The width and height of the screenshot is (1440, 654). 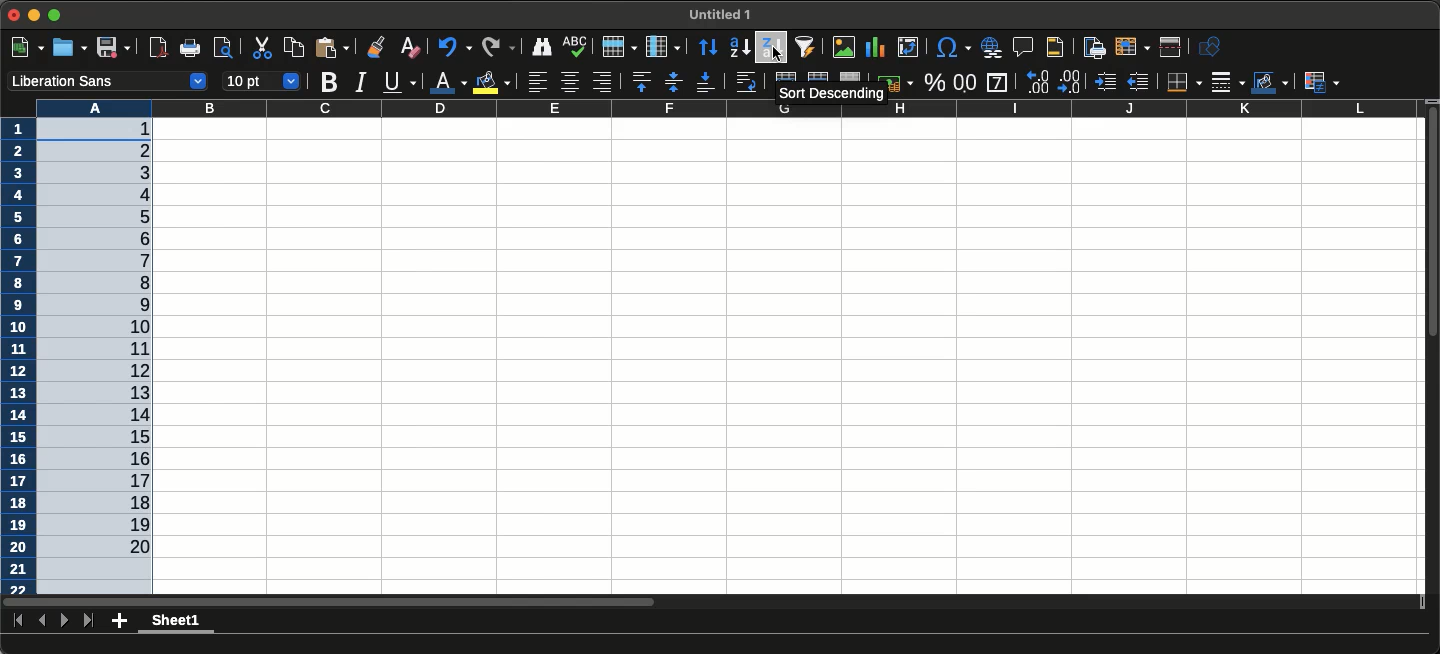 I want to click on Next sheet, so click(x=64, y=619).